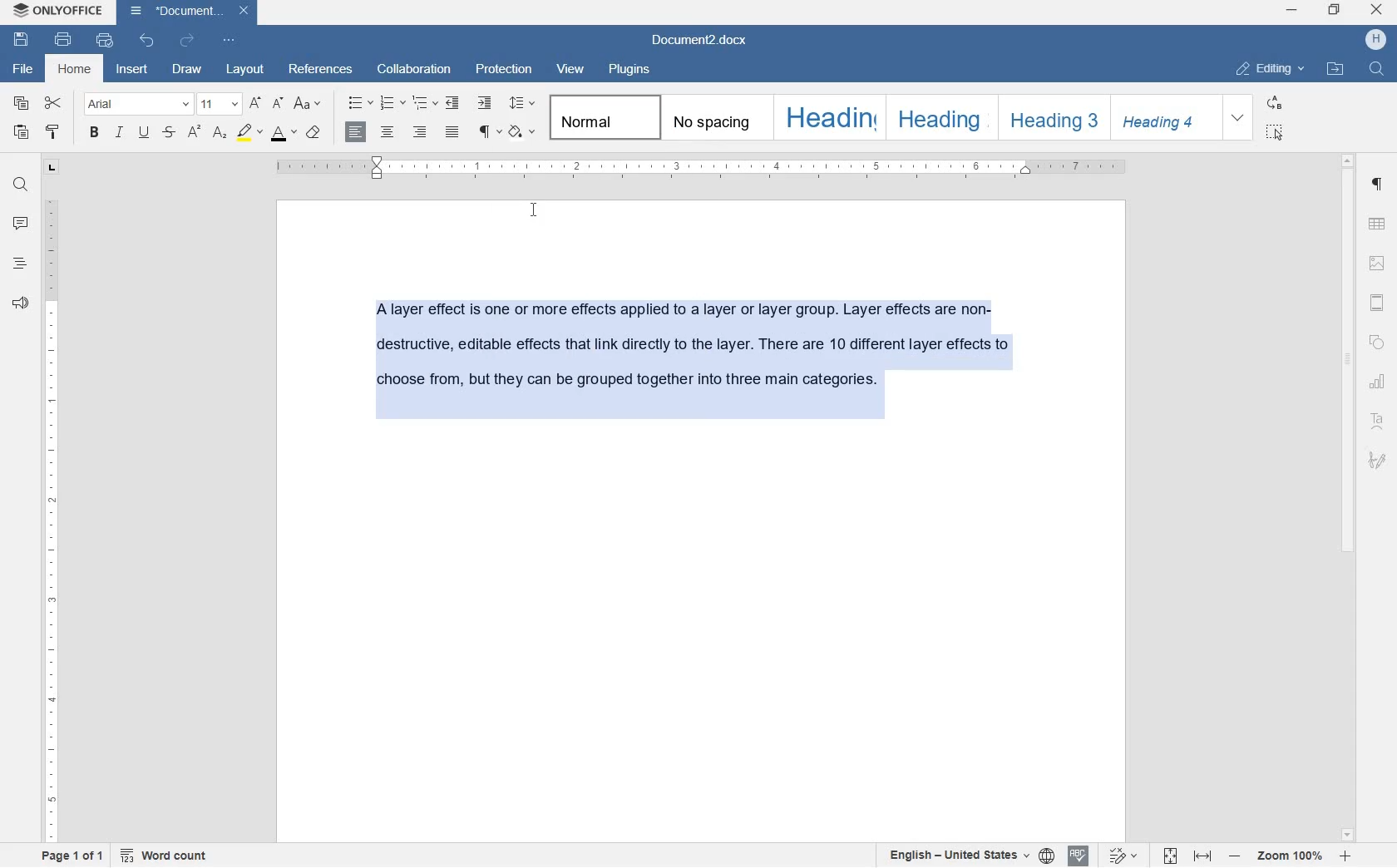 The image size is (1397, 868). What do you see at coordinates (1377, 460) in the screenshot?
I see `signature` at bounding box center [1377, 460].